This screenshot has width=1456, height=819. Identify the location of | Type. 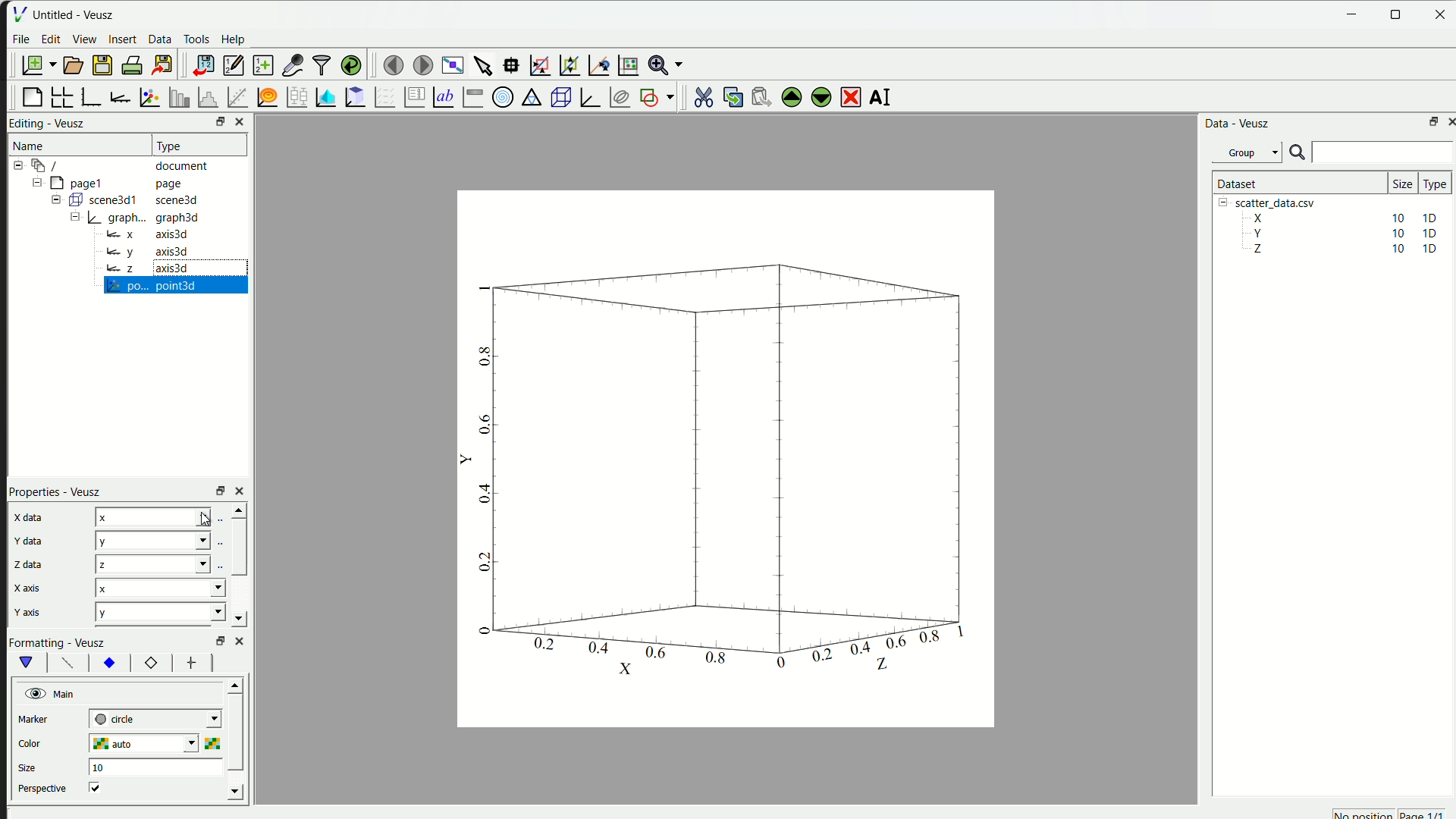
(171, 145).